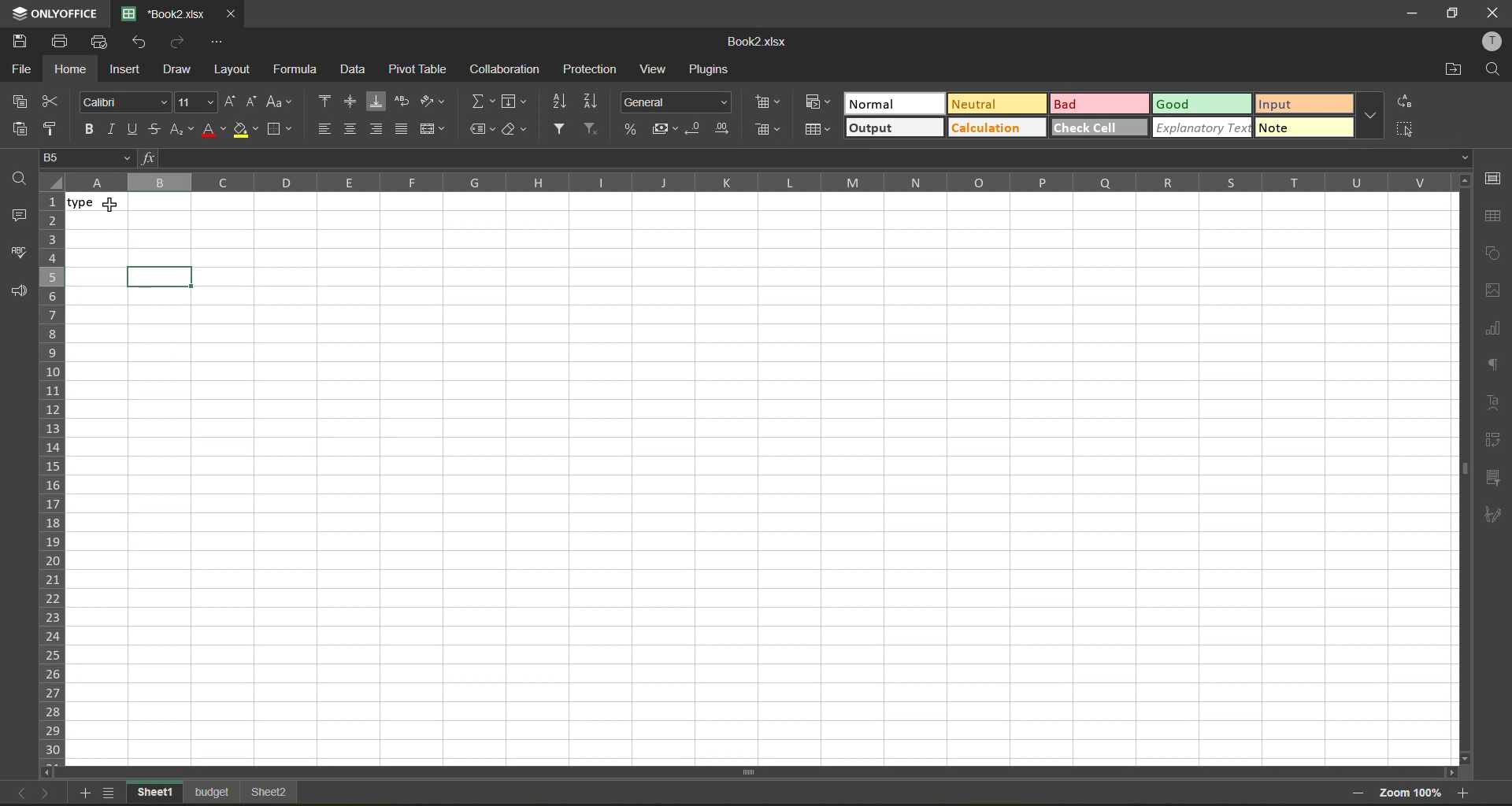 This screenshot has width=1512, height=806. What do you see at coordinates (820, 104) in the screenshot?
I see `conditional formatting` at bounding box center [820, 104].